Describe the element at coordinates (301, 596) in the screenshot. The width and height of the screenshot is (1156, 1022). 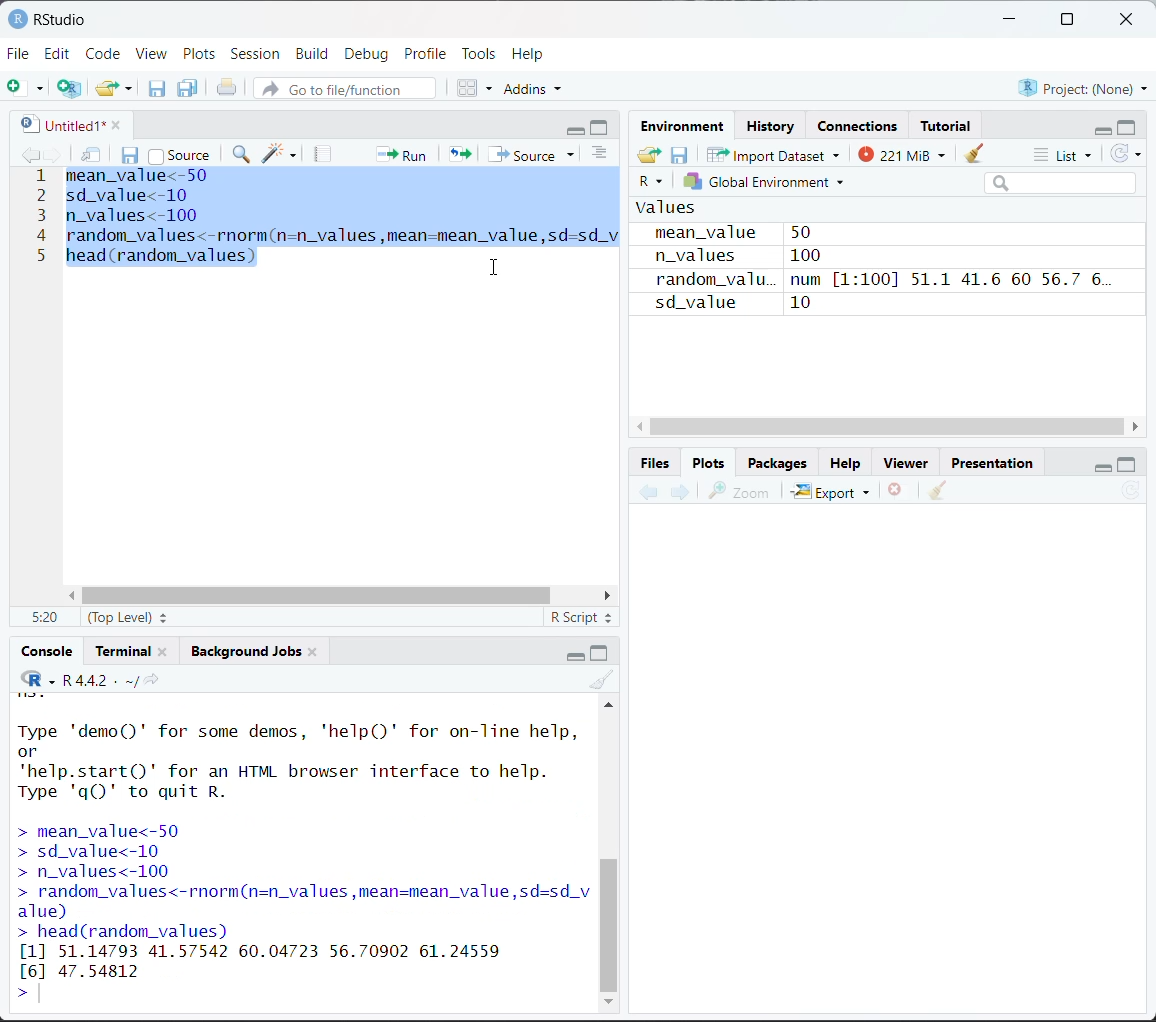
I see `horizontal scroll bar` at that location.